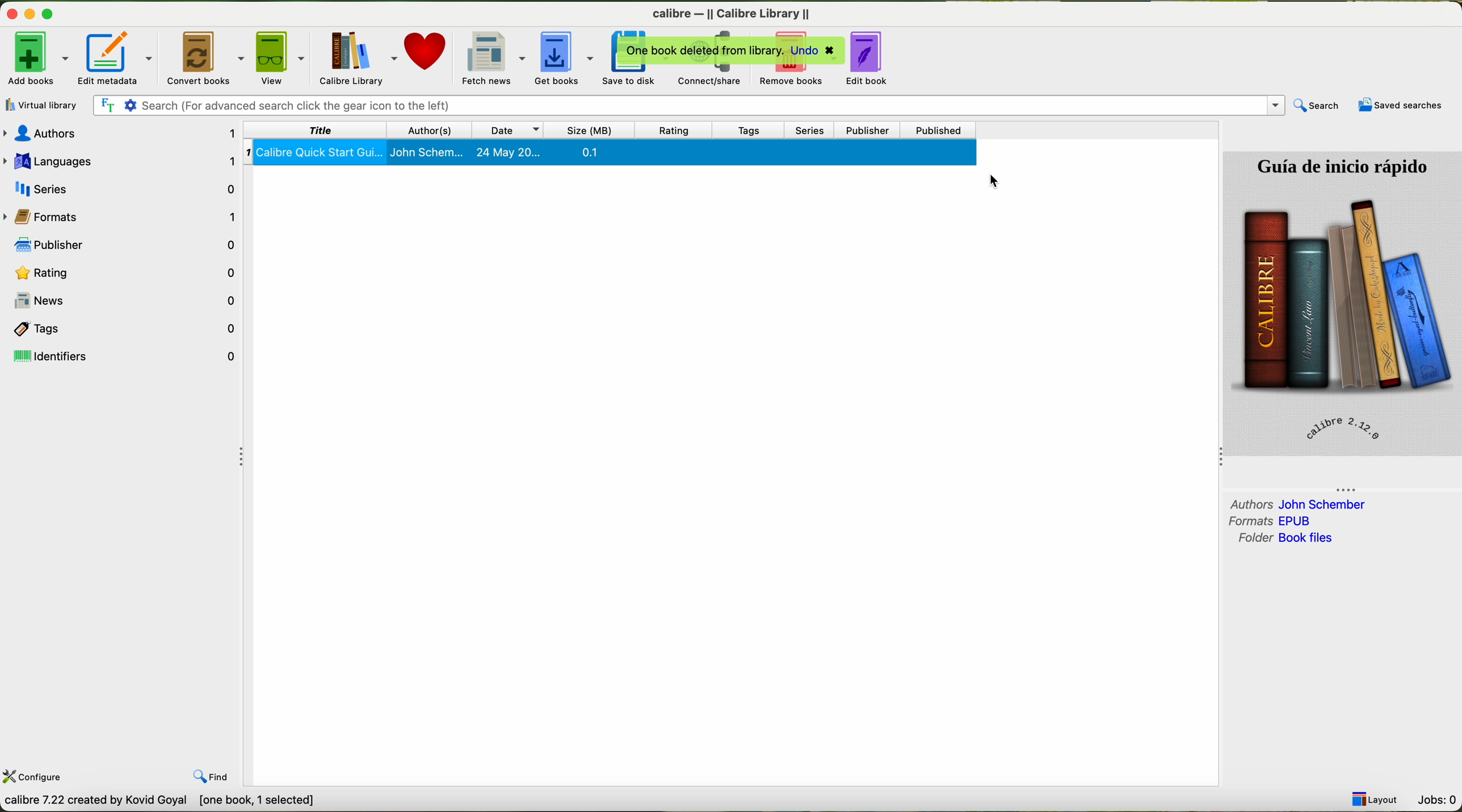 Image resolution: width=1462 pixels, height=812 pixels. Describe the element at coordinates (1338, 306) in the screenshot. I see `book cover` at that location.